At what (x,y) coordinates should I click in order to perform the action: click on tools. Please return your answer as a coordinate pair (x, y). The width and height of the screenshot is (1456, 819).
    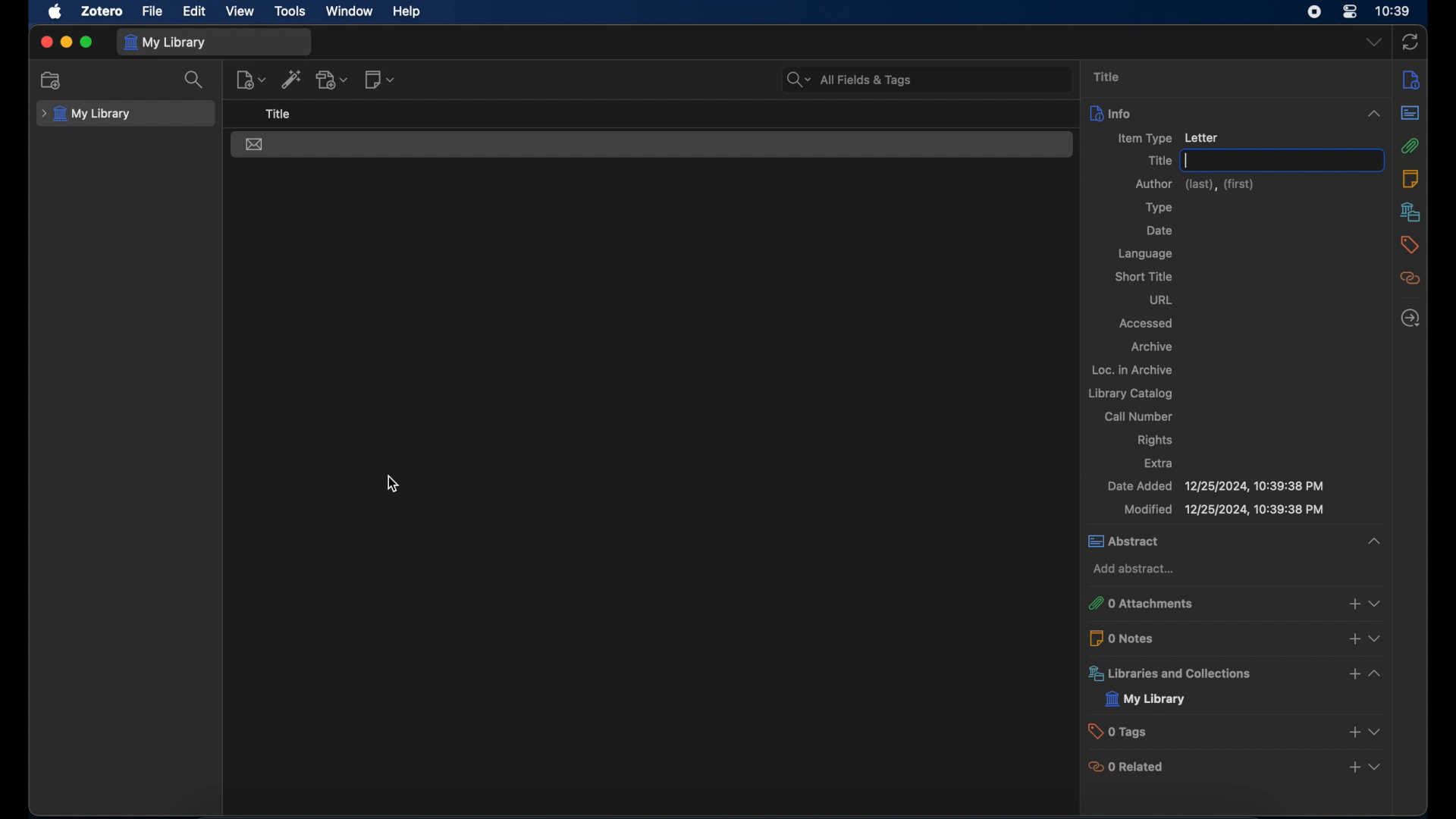
    Looking at the image, I should click on (290, 11).